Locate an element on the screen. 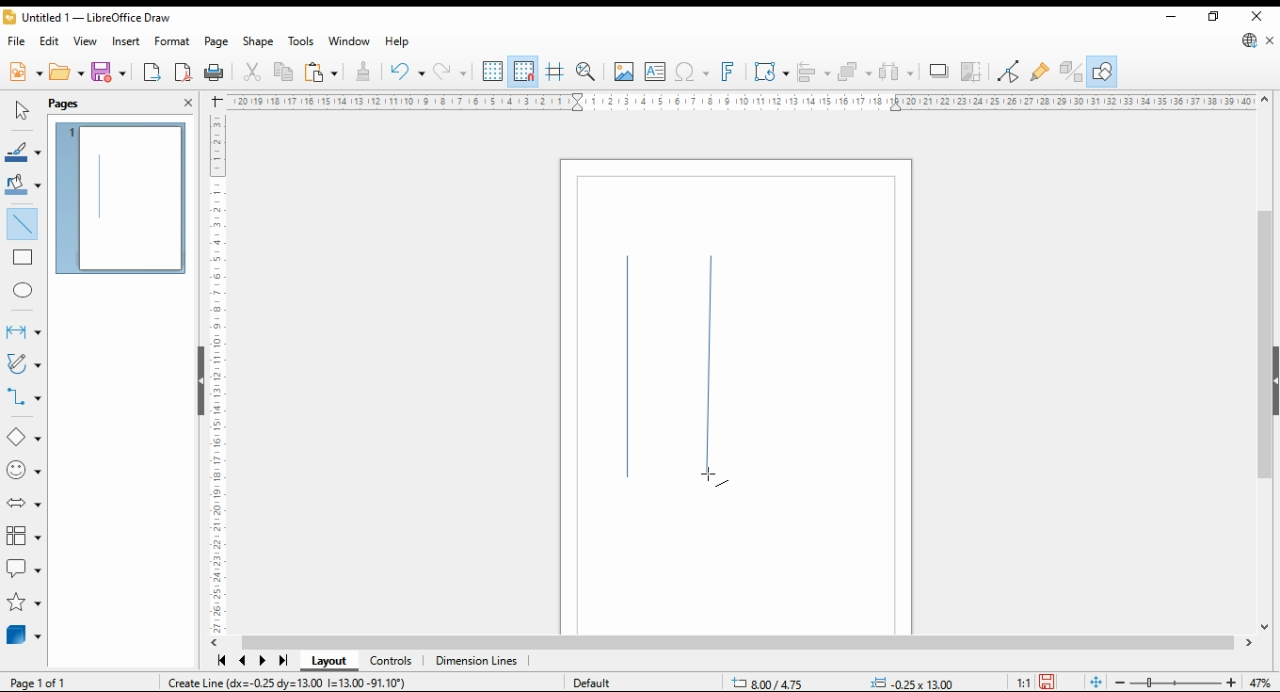  Untitled 1 - LibreOffice Draw is located at coordinates (86, 19).